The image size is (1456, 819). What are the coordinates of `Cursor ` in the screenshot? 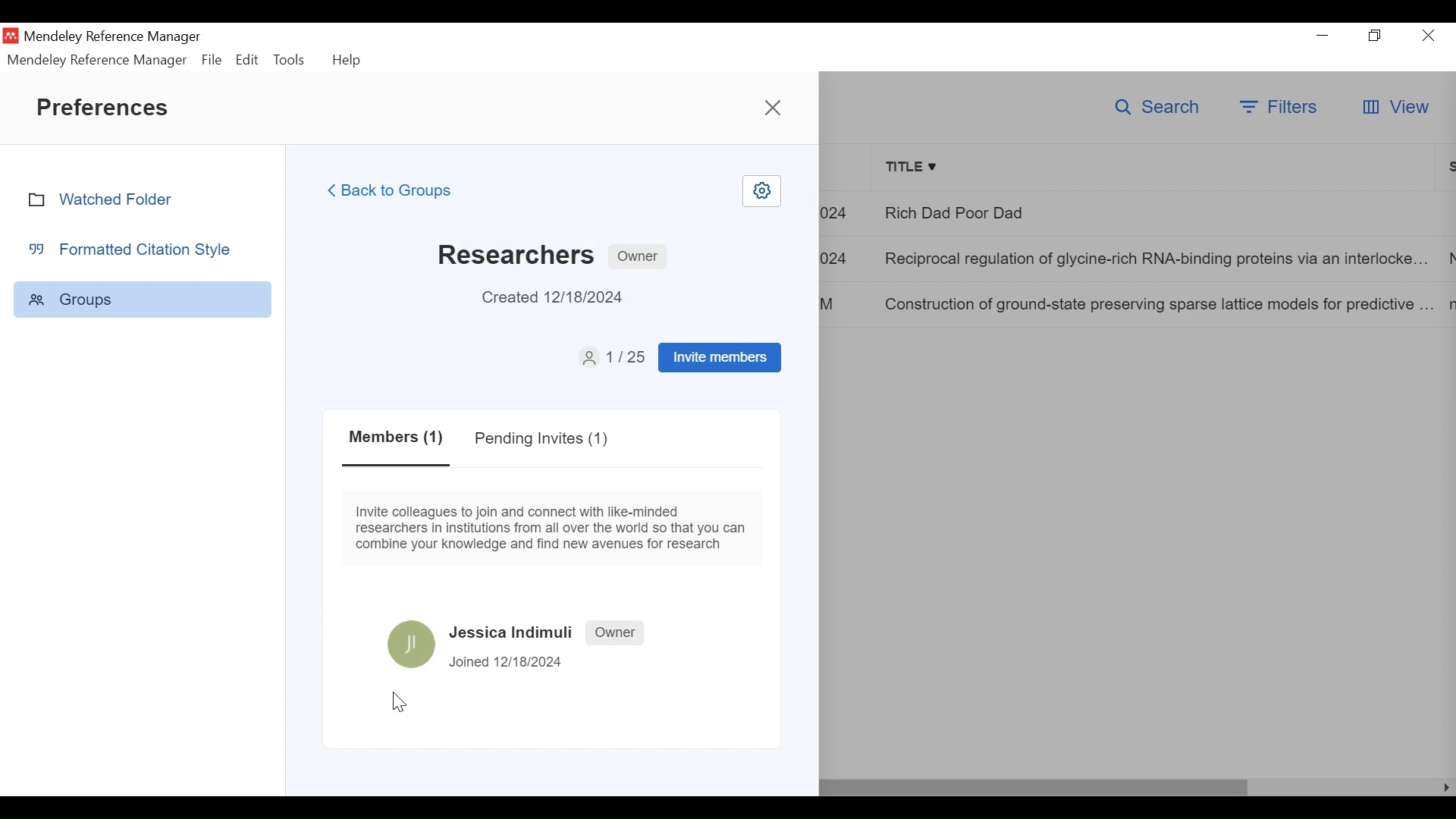 It's located at (400, 703).